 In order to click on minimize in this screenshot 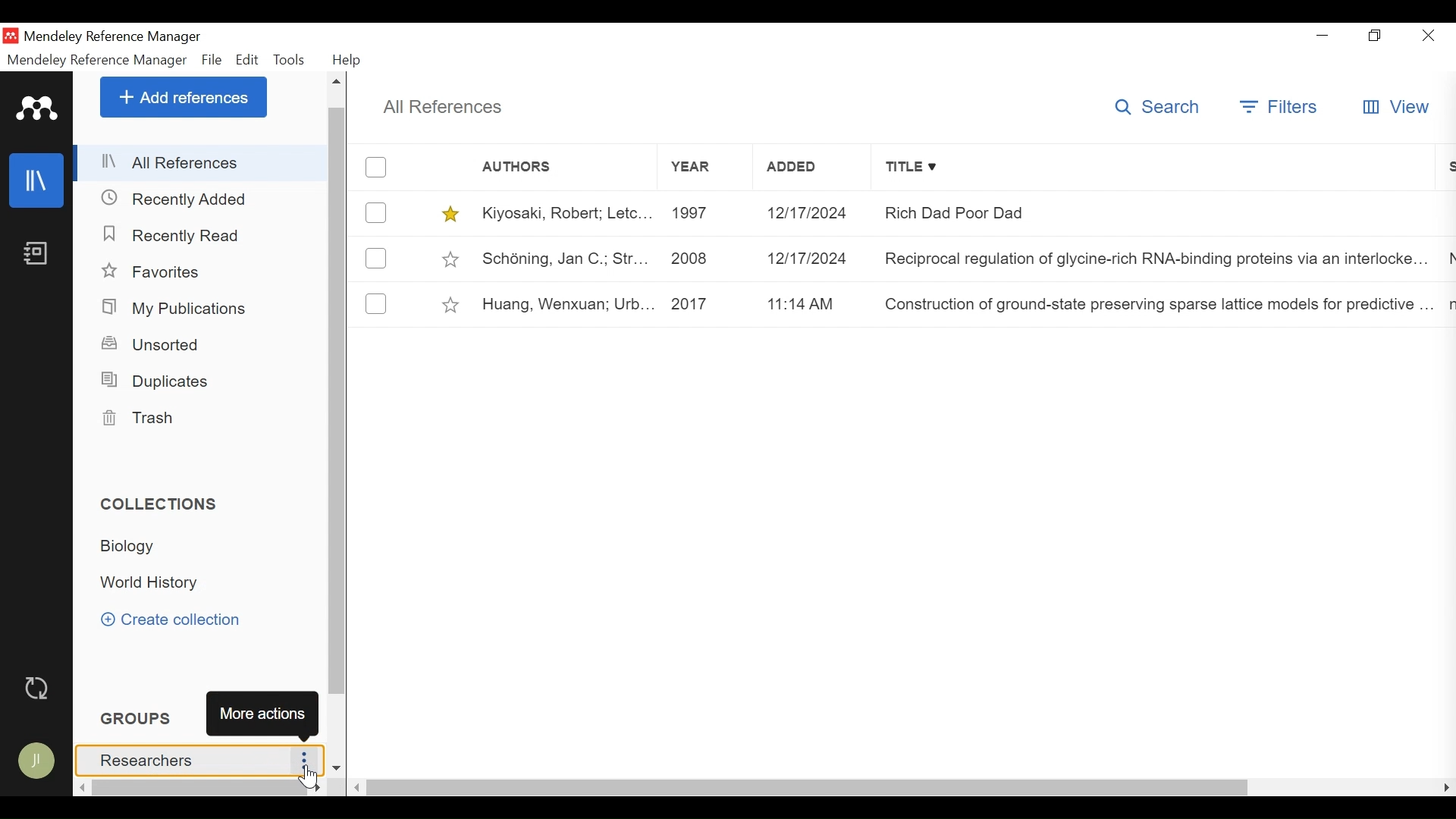, I will do `click(1323, 33)`.